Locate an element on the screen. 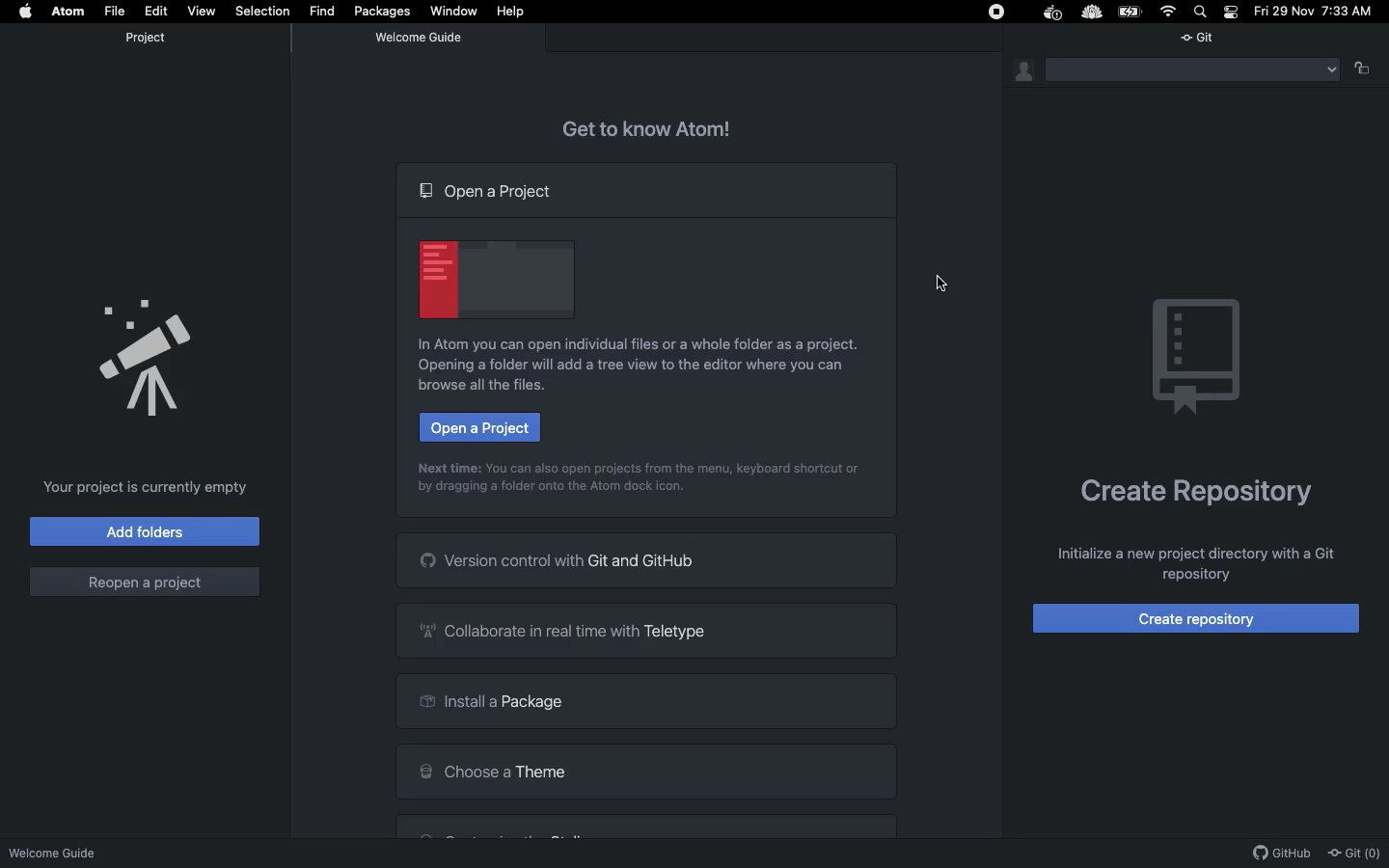 The width and height of the screenshot is (1389, 868). Emblem is located at coordinates (146, 356).